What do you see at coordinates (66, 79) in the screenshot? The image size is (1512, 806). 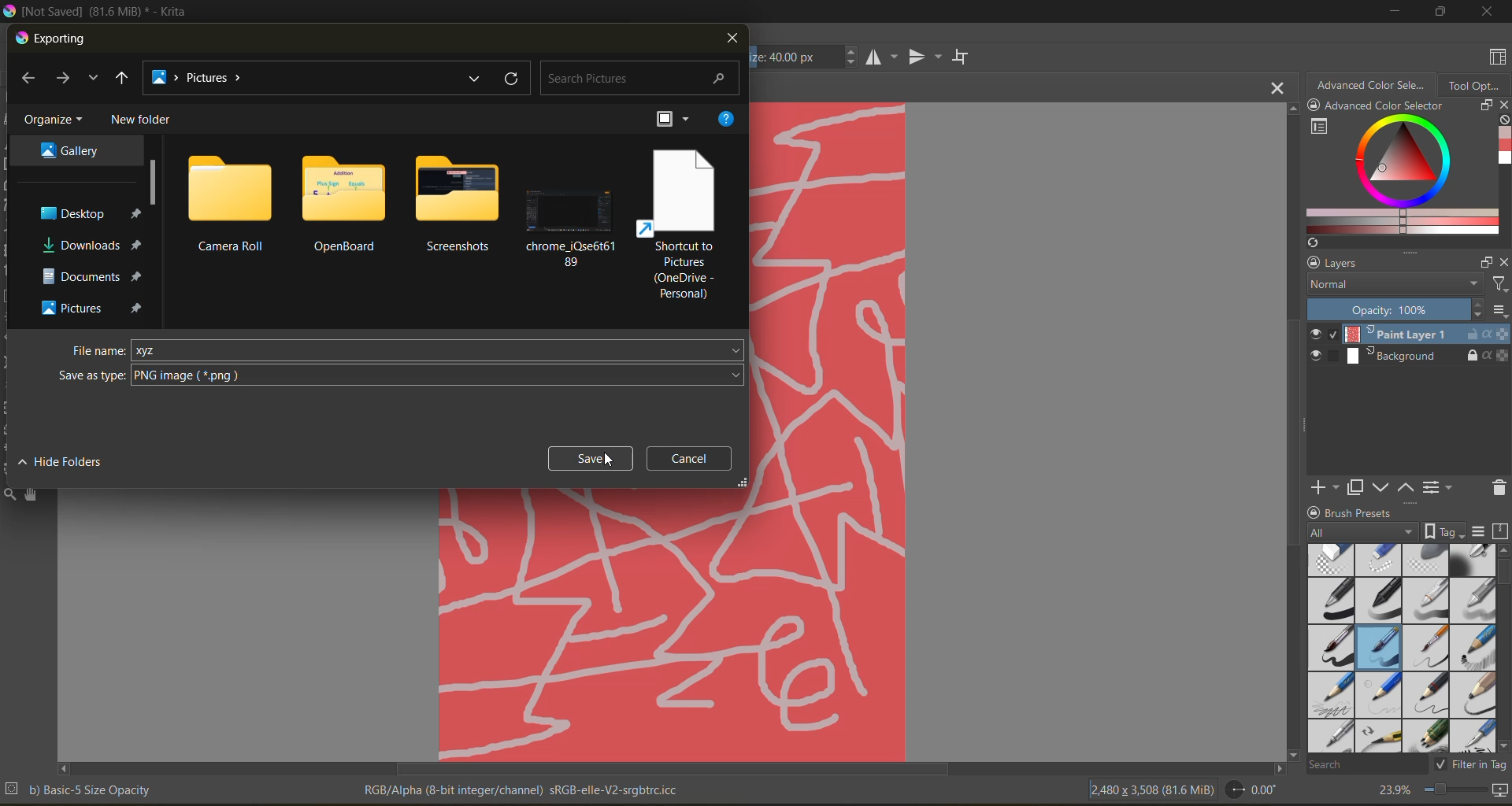 I see `forward` at bounding box center [66, 79].